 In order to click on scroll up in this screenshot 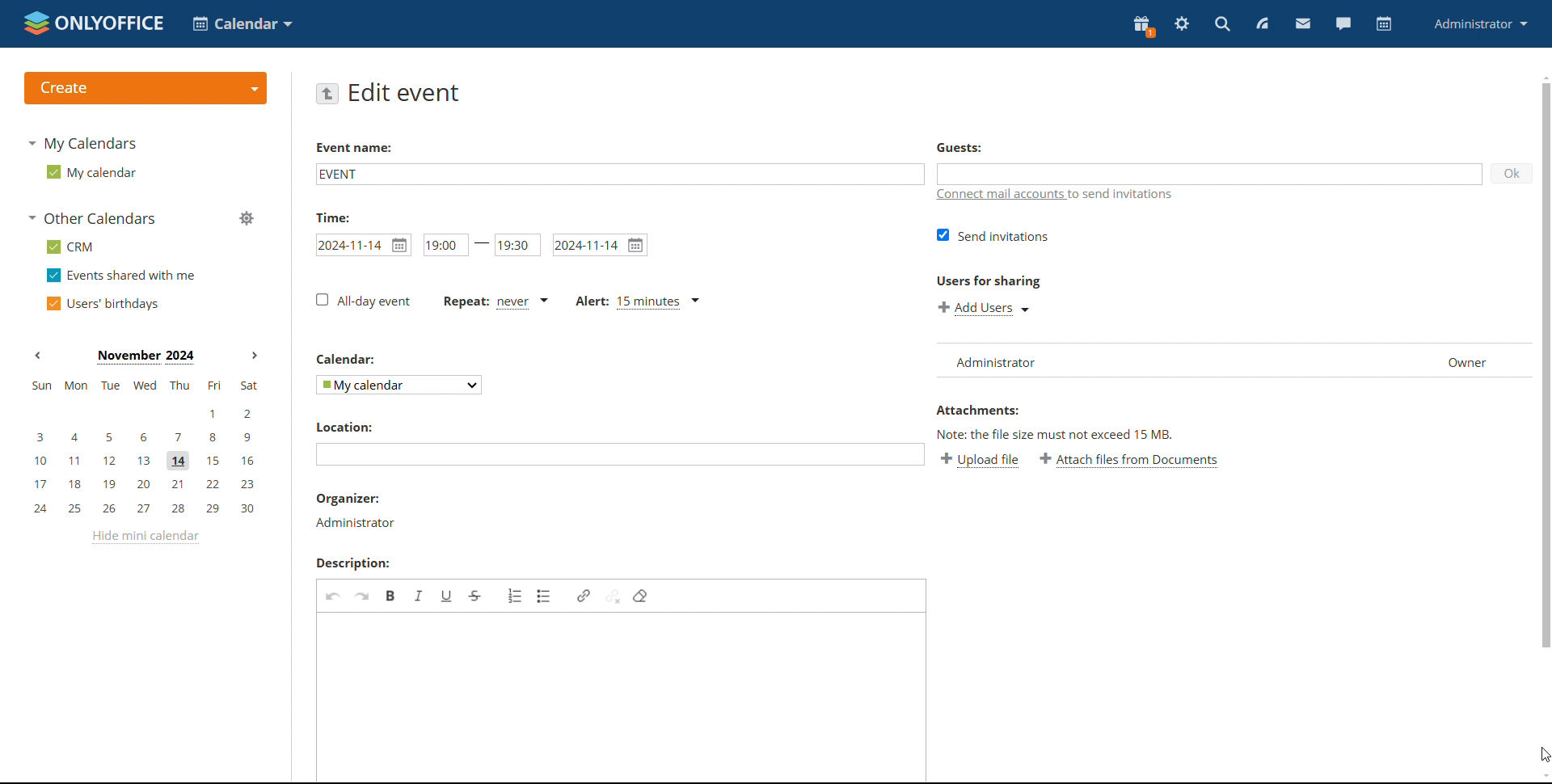, I will do `click(1542, 75)`.